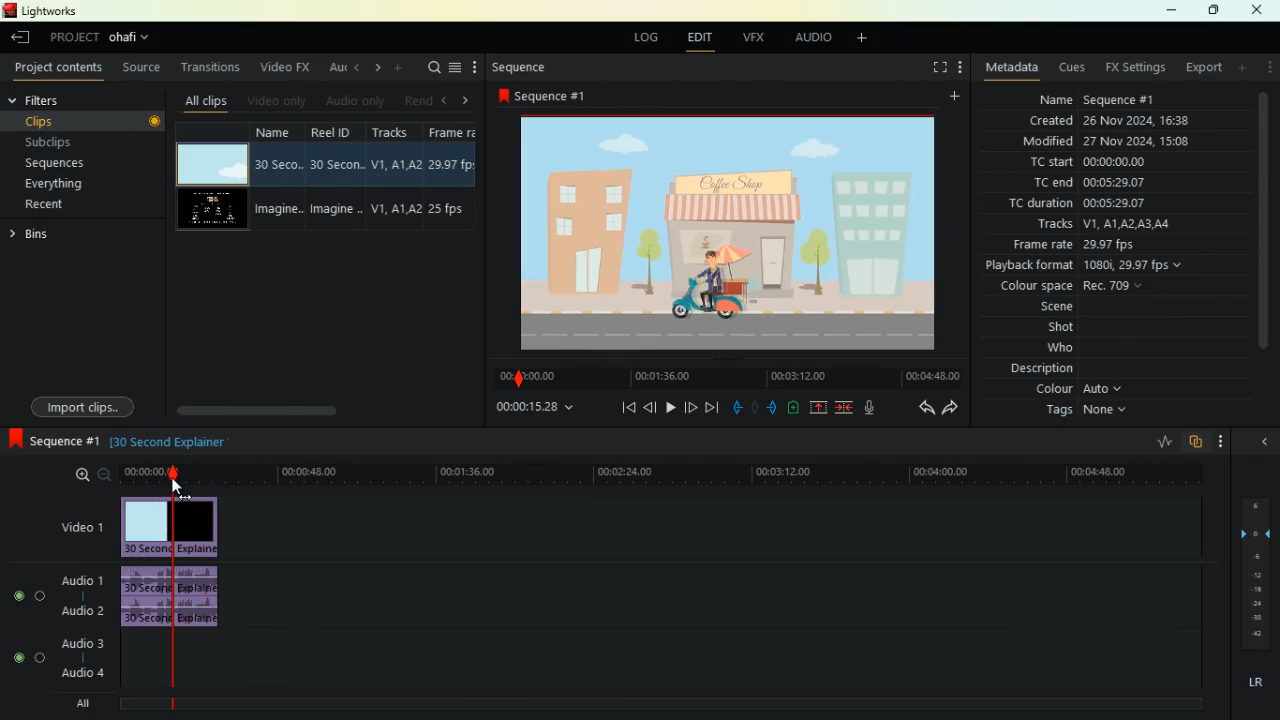 The width and height of the screenshot is (1280, 720). I want to click on layers, so click(1255, 578).